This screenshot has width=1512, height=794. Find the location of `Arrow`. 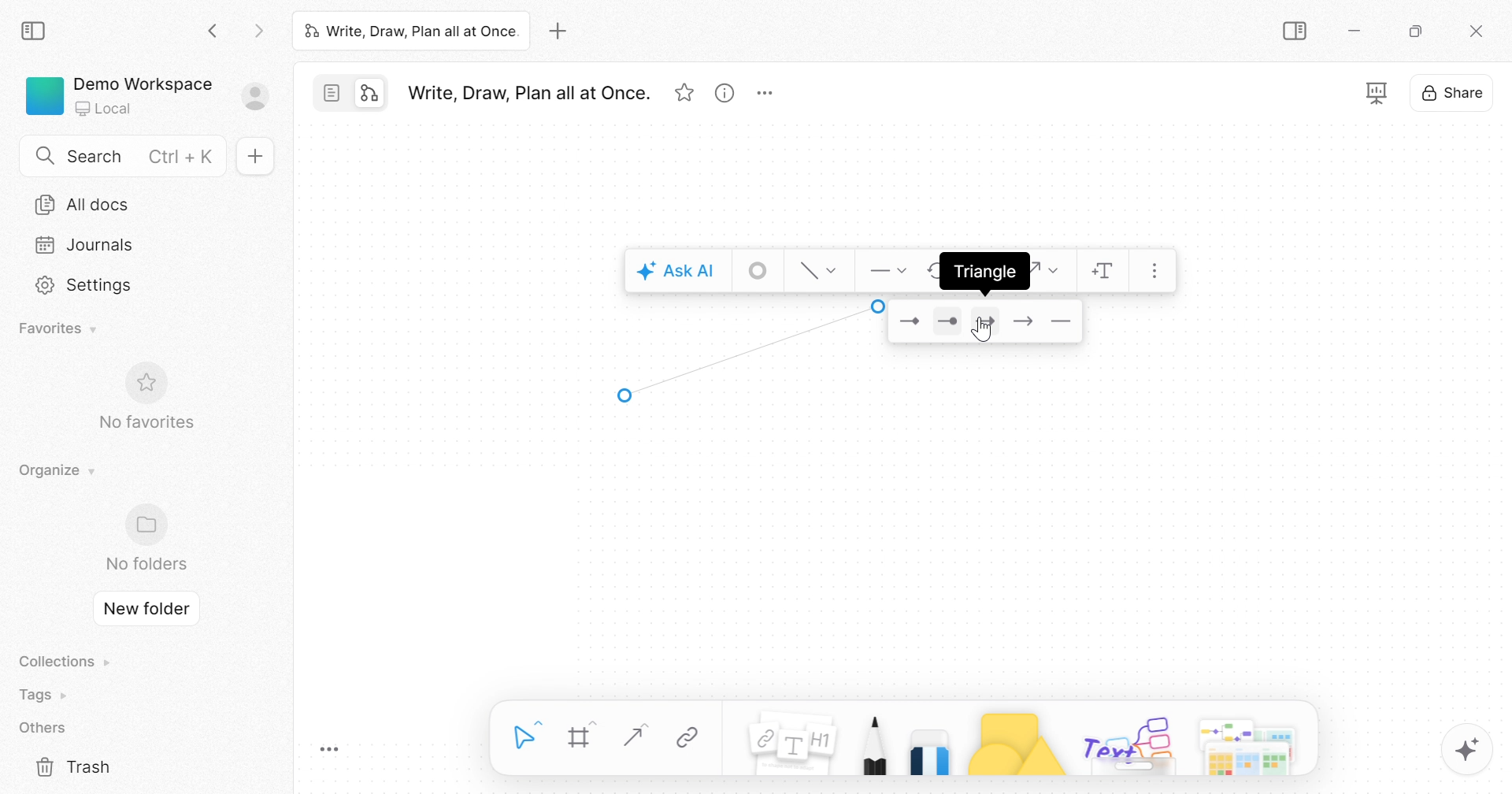

Arrow is located at coordinates (750, 351).